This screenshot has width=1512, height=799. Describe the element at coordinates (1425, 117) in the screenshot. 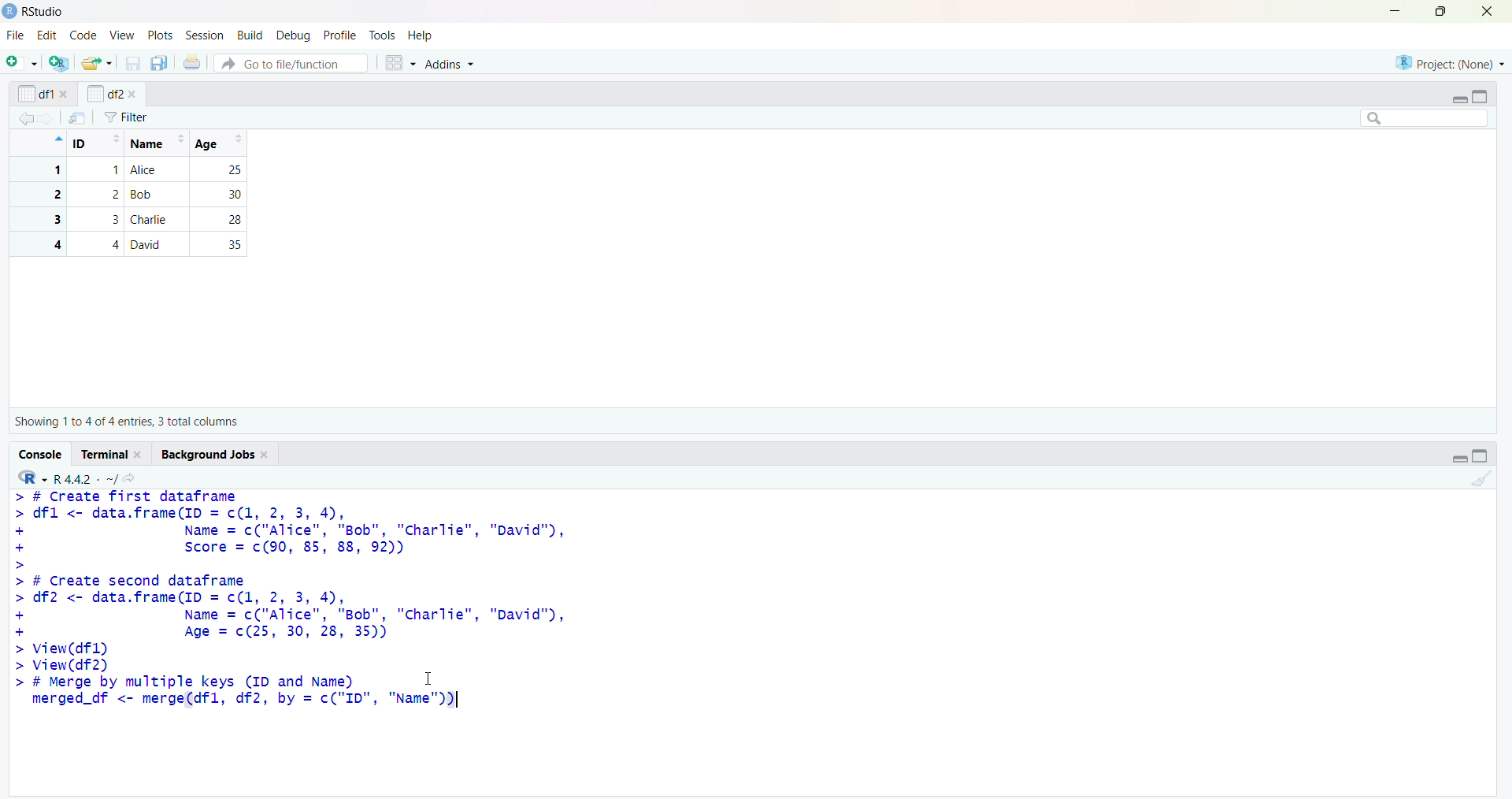

I see `searchbox` at that location.